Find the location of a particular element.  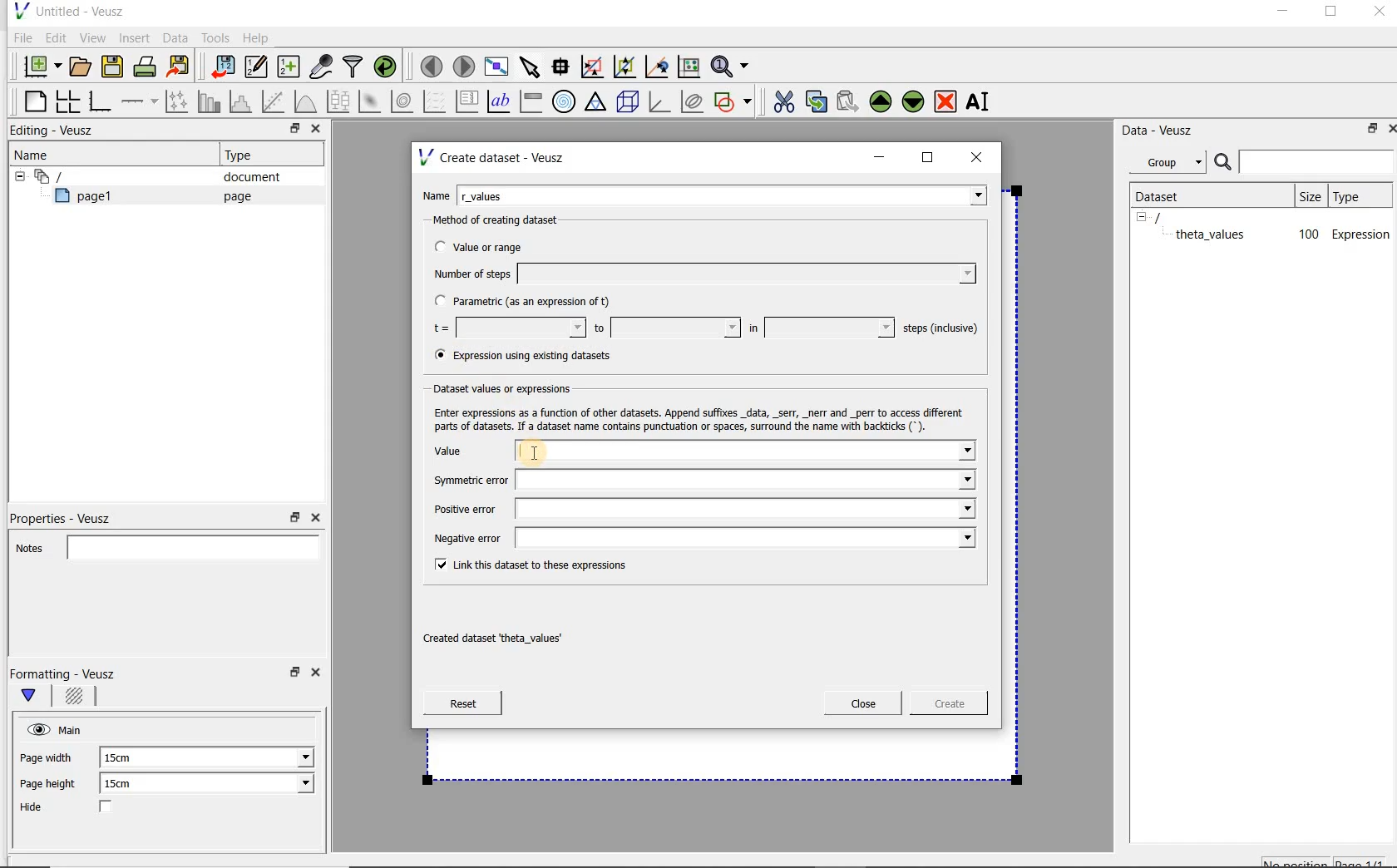

Dataset values or expressions is located at coordinates (516, 387).